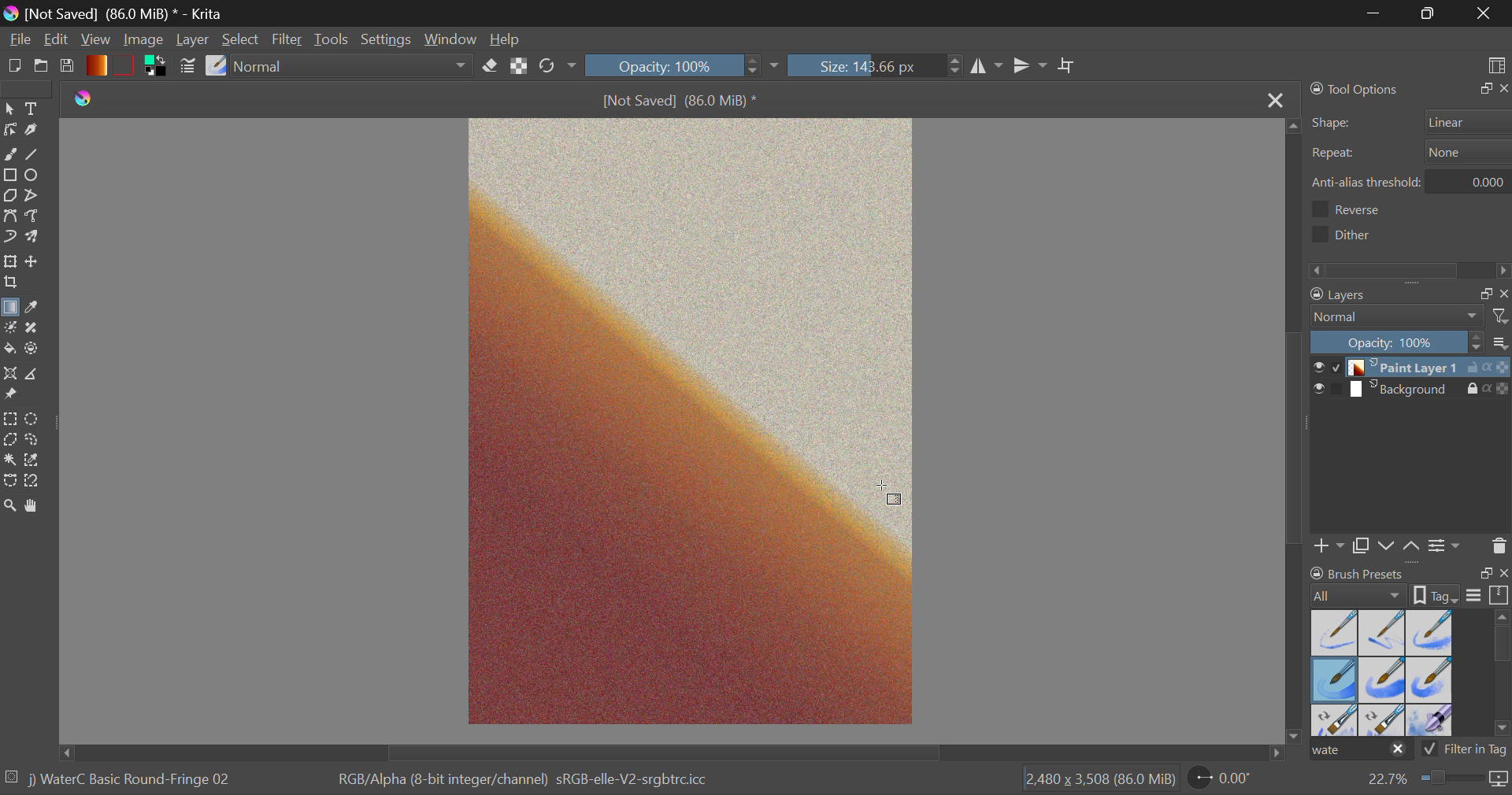 This screenshot has height=795, width=1512. What do you see at coordinates (1435, 782) in the screenshot?
I see `Zoom 22.7%` at bounding box center [1435, 782].